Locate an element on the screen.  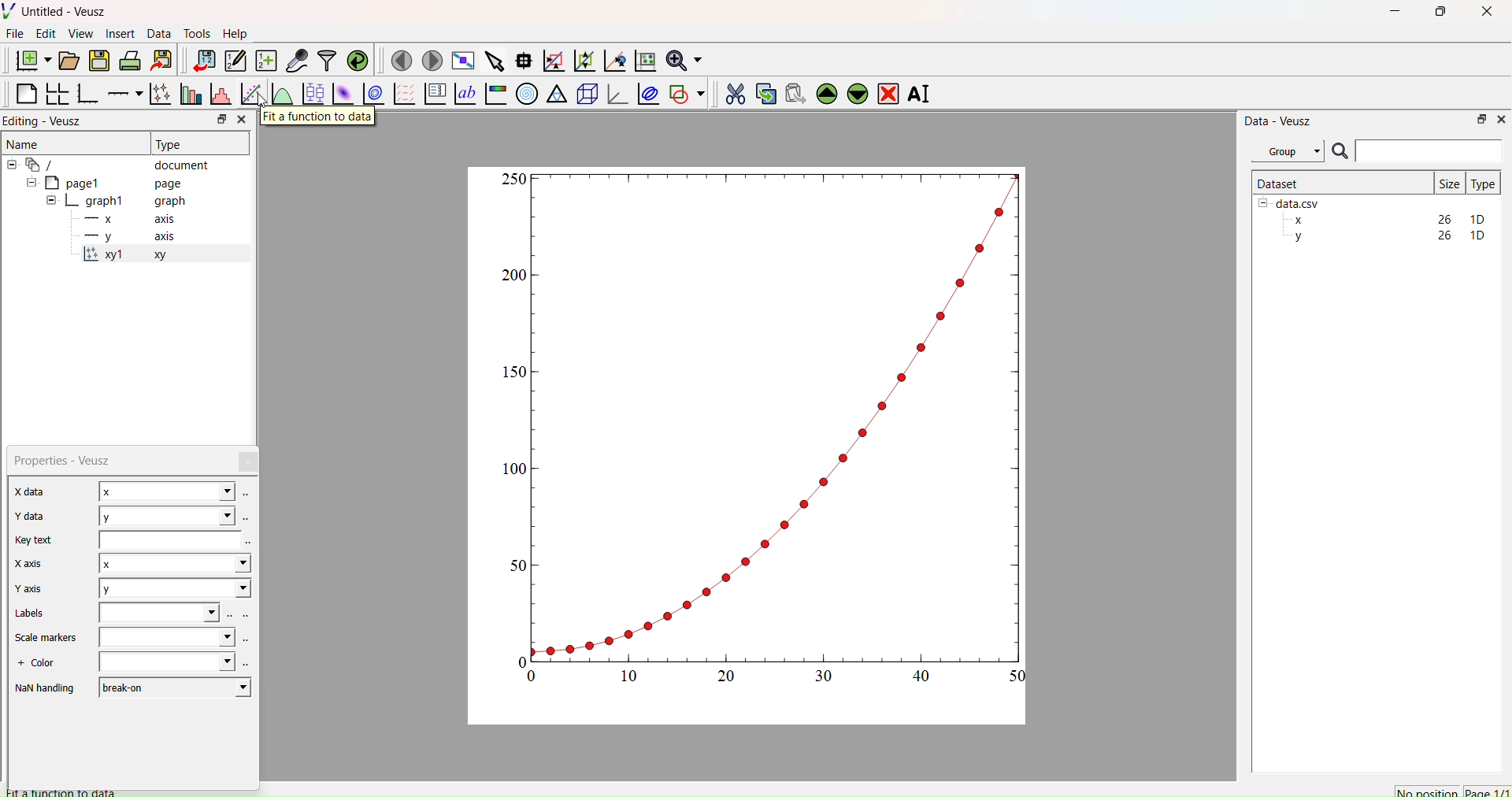
Dropdown is located at coordinates (166, 636).